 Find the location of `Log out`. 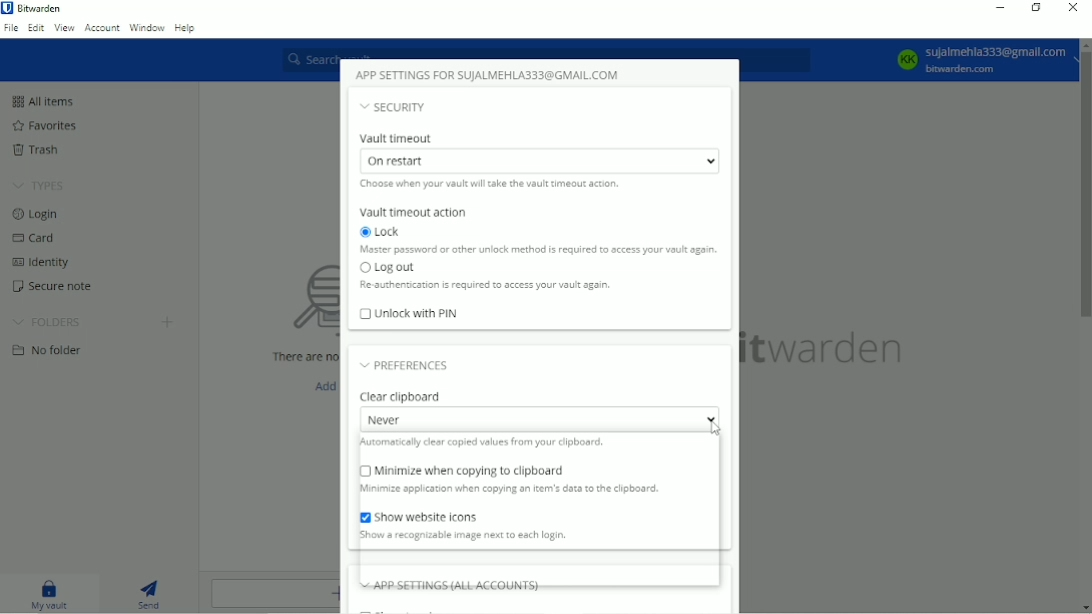

Log out is located at coordinates (486, 276).